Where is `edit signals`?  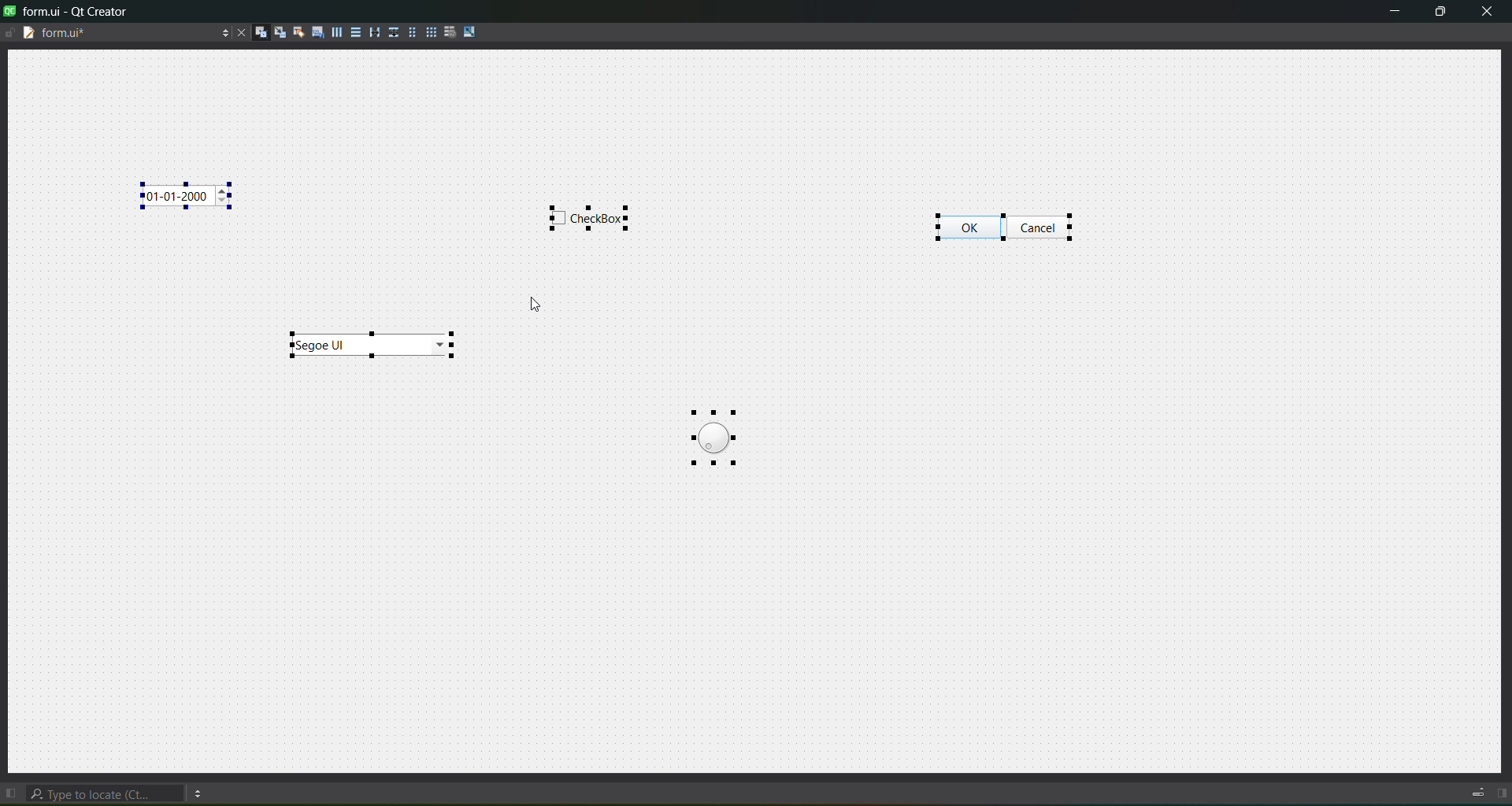
edit signals is located at coordinates (277, 31).